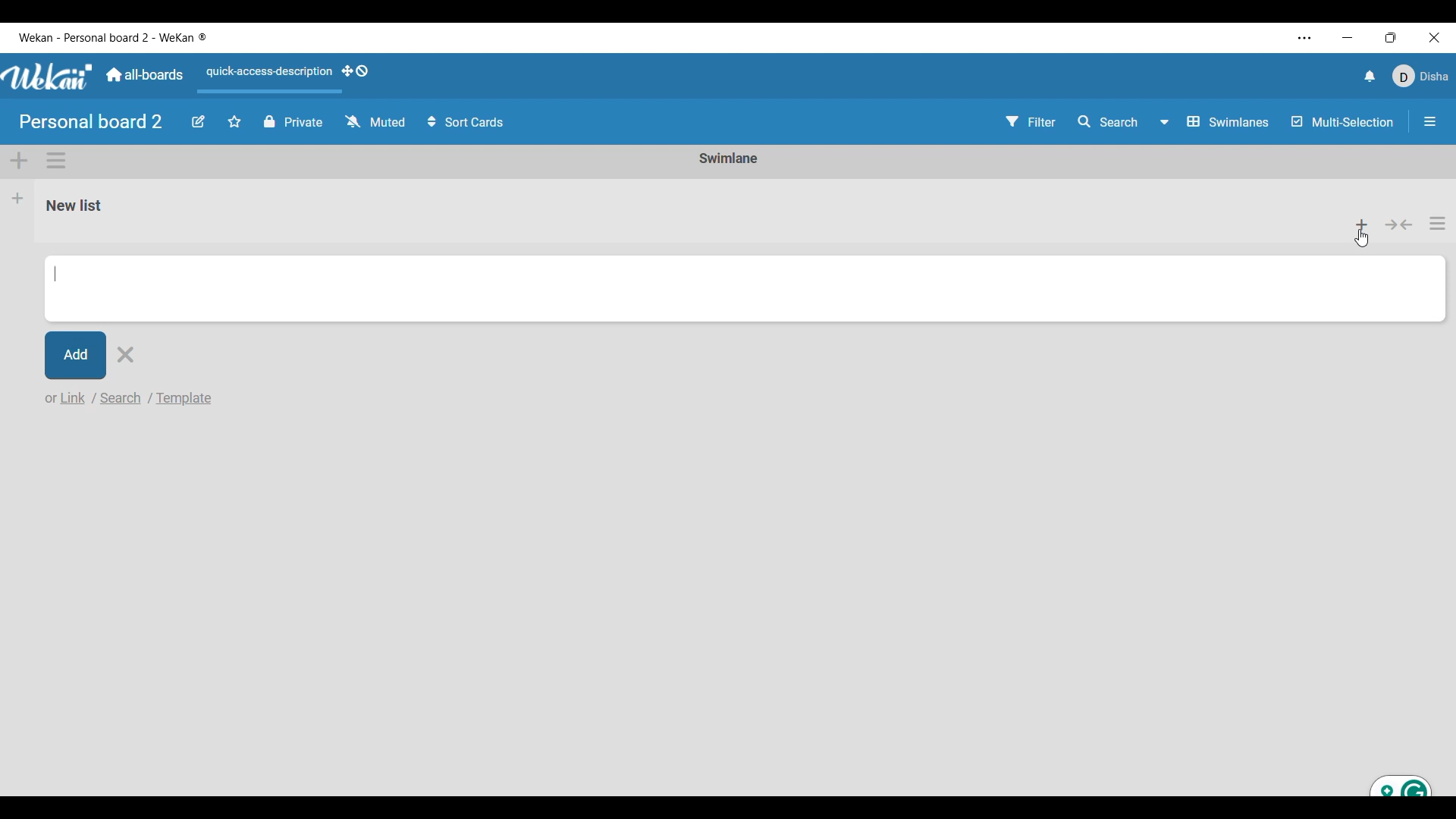  Describe the element at coordinates (76, 356) in the screenshot. I see `Add inputs made` at that location.